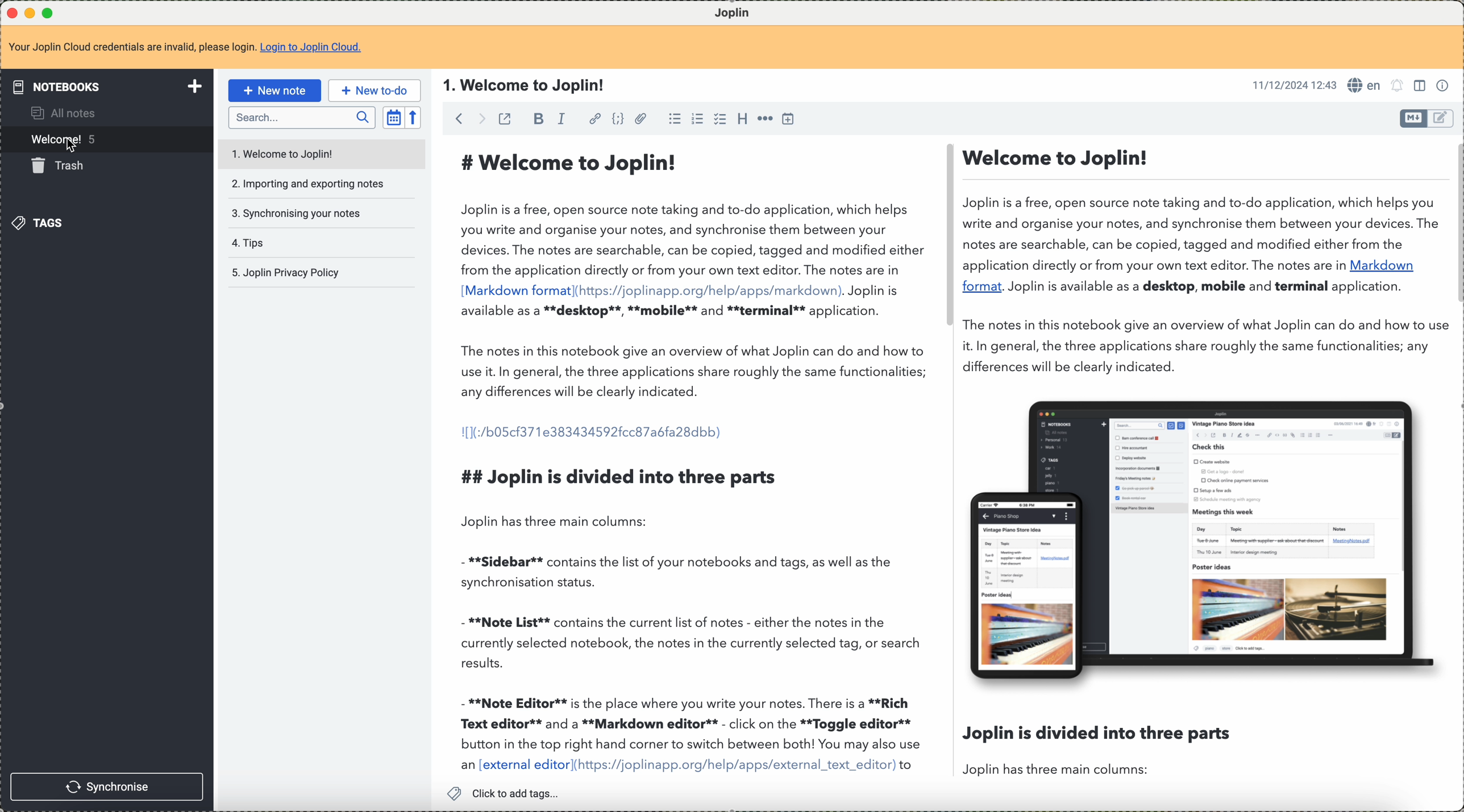 The image size is (1464, 812). What do you see at coordinates (248, 241) in the screenshot?
I see `tips` at bounding box center [248, 241].